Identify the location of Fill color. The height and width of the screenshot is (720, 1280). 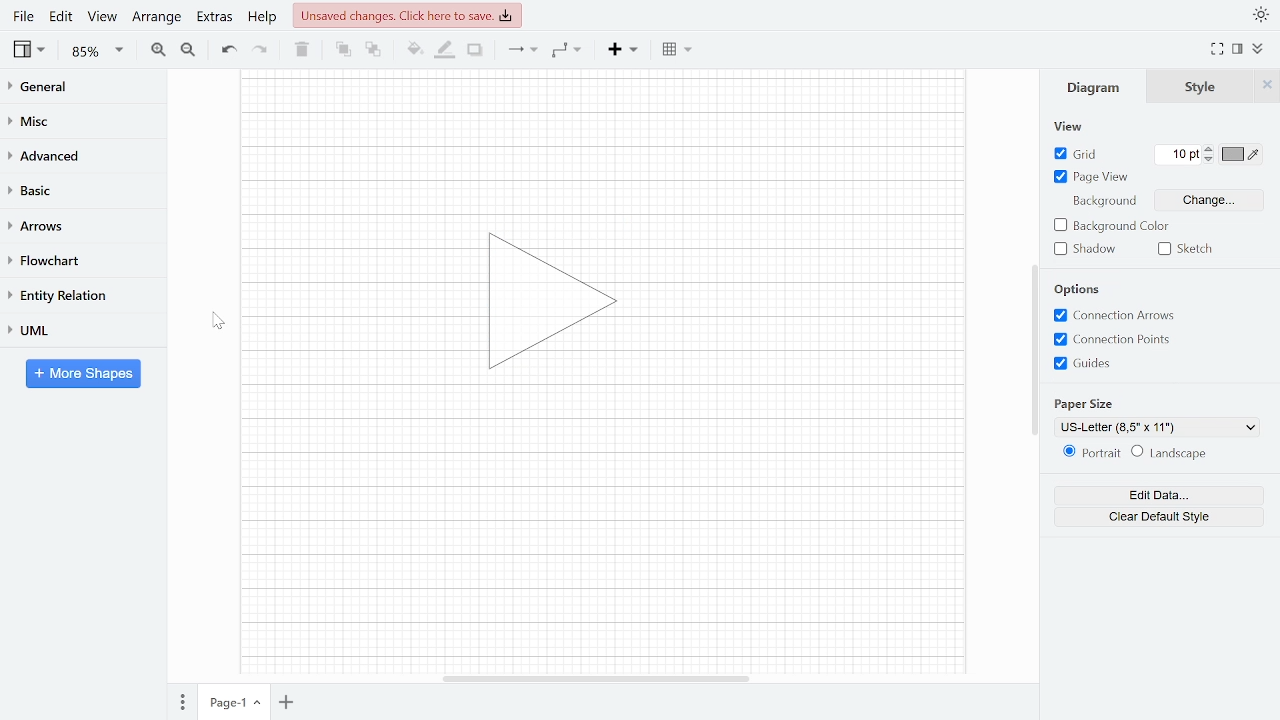
(414, 49).